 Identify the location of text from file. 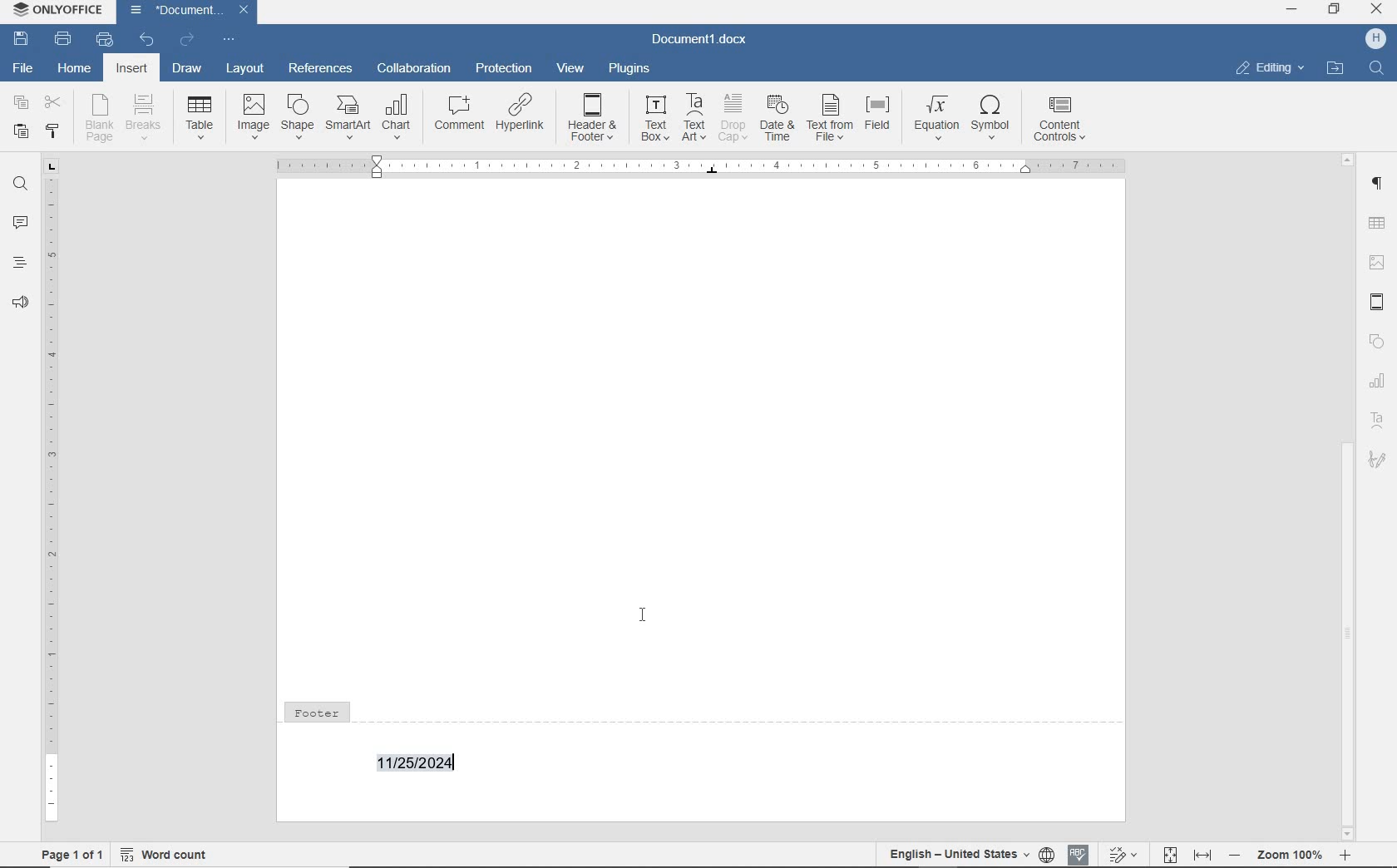
(830, 117).